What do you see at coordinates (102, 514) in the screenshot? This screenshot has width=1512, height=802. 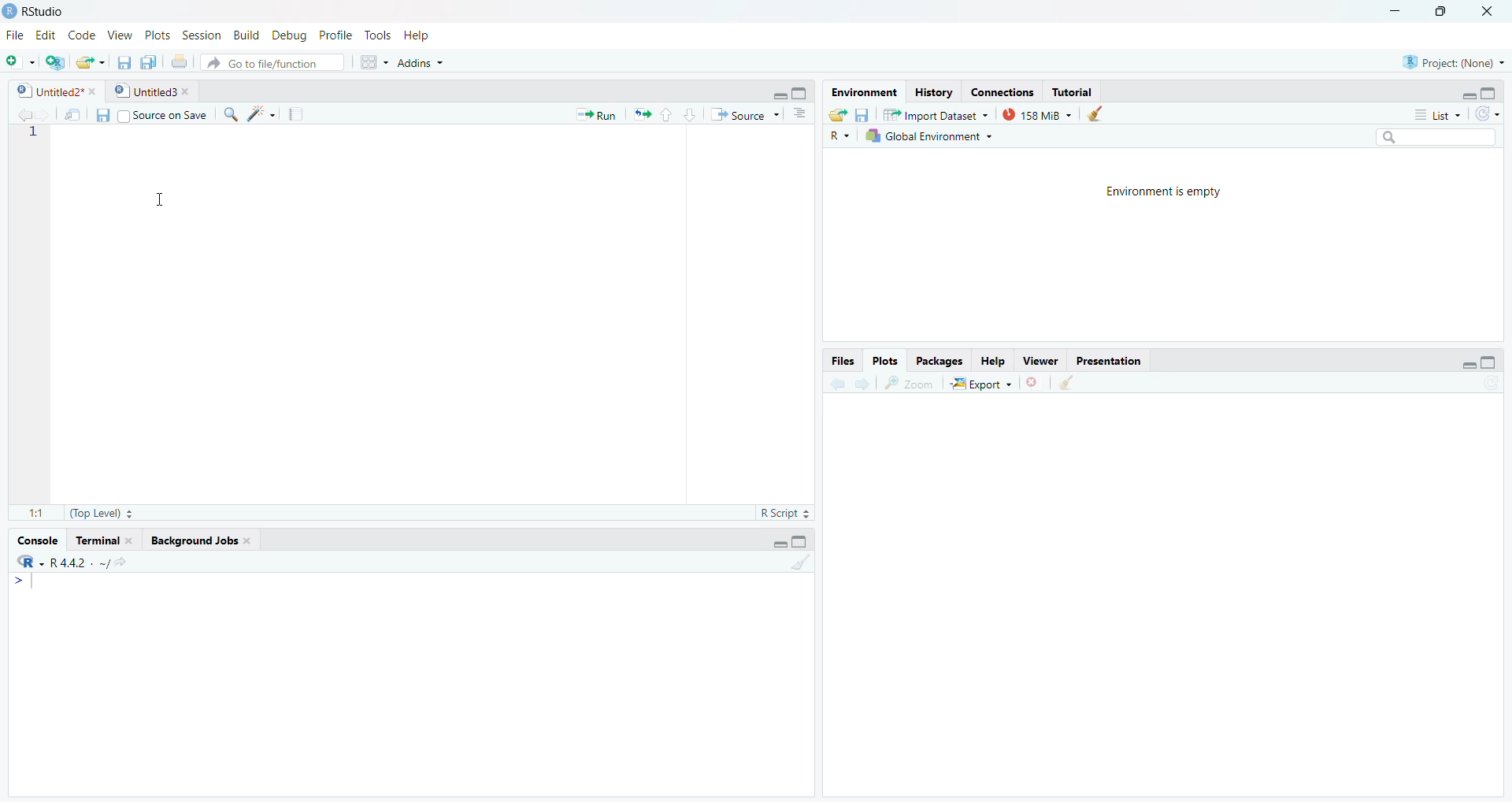 I see `(Top Level) ` at bounding box center [102, 514].